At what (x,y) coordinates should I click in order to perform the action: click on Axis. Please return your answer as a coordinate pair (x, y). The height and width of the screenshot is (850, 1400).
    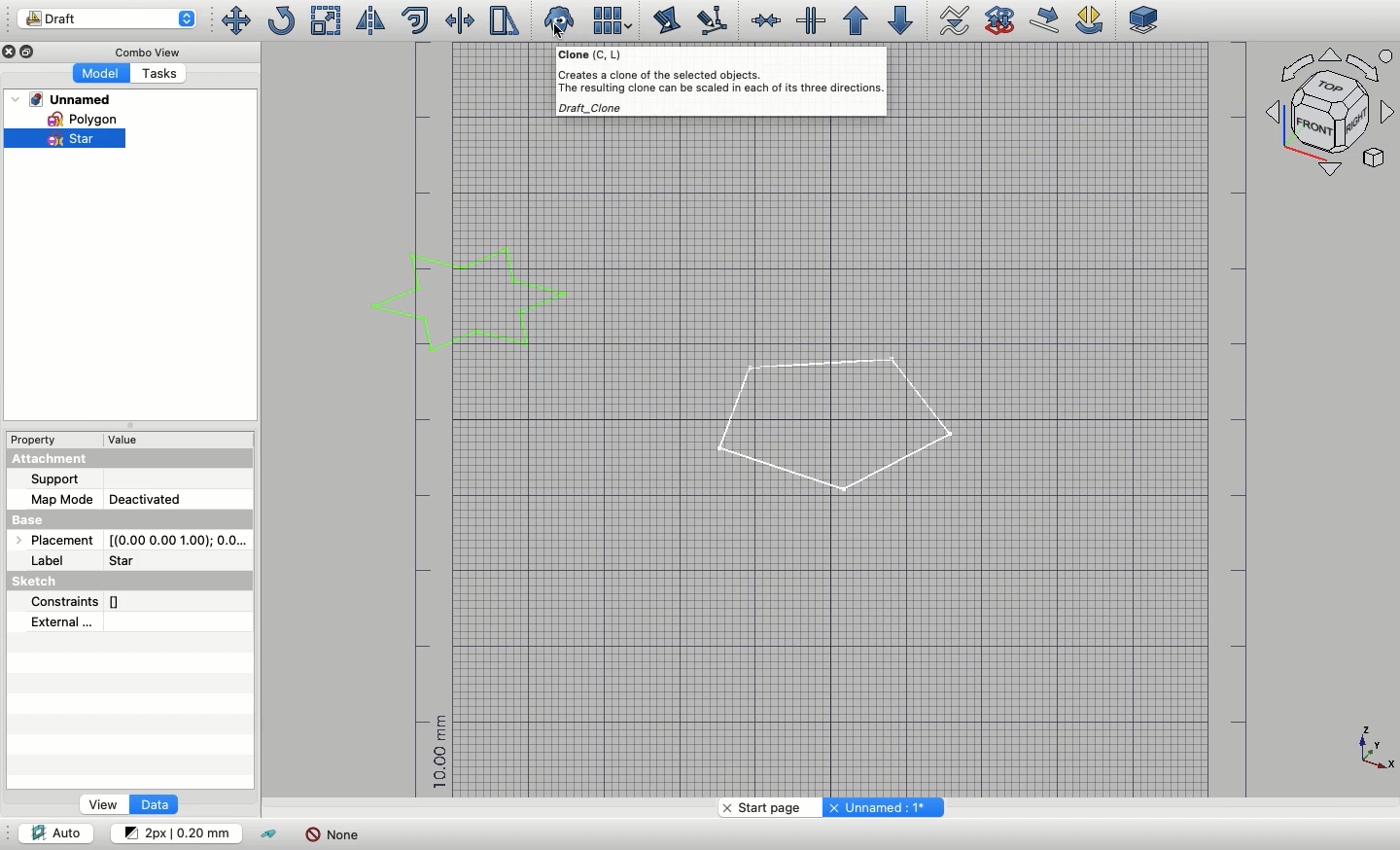
    Looking at the image, I should click on (1376, 749).